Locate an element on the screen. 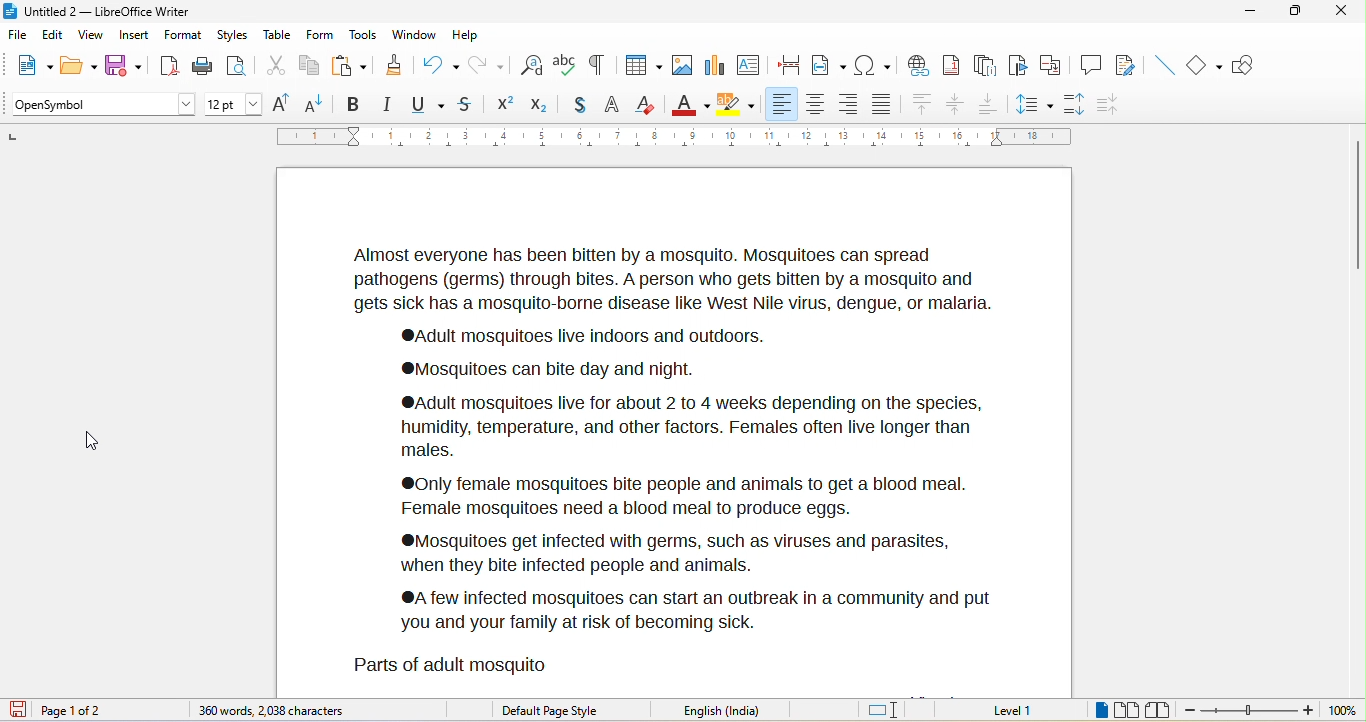 This screenshot has width=1366, height=722. insert line is located at coordinates (1167, 65).